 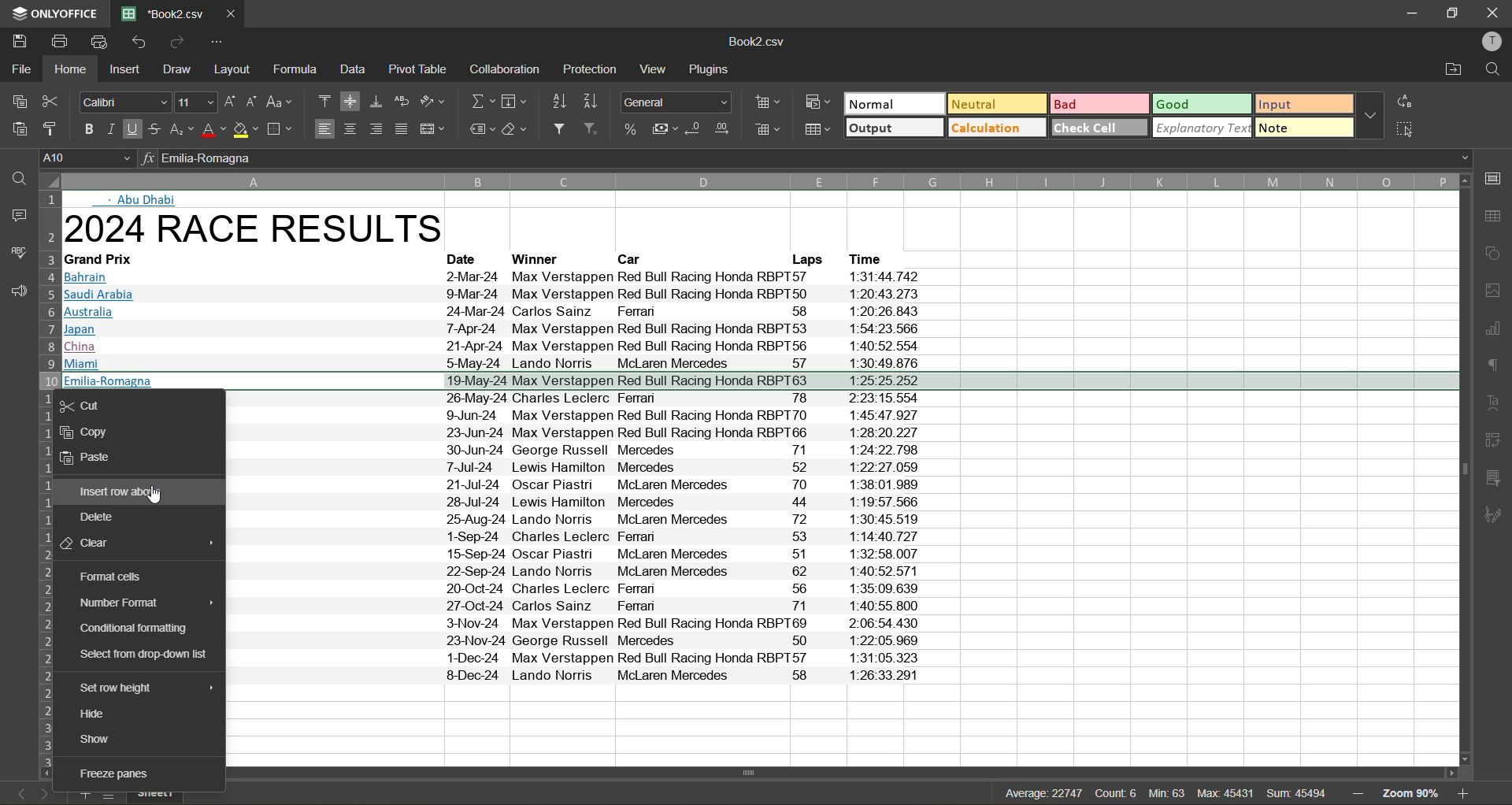 I want to click on layout, so click(x=232, y=68).